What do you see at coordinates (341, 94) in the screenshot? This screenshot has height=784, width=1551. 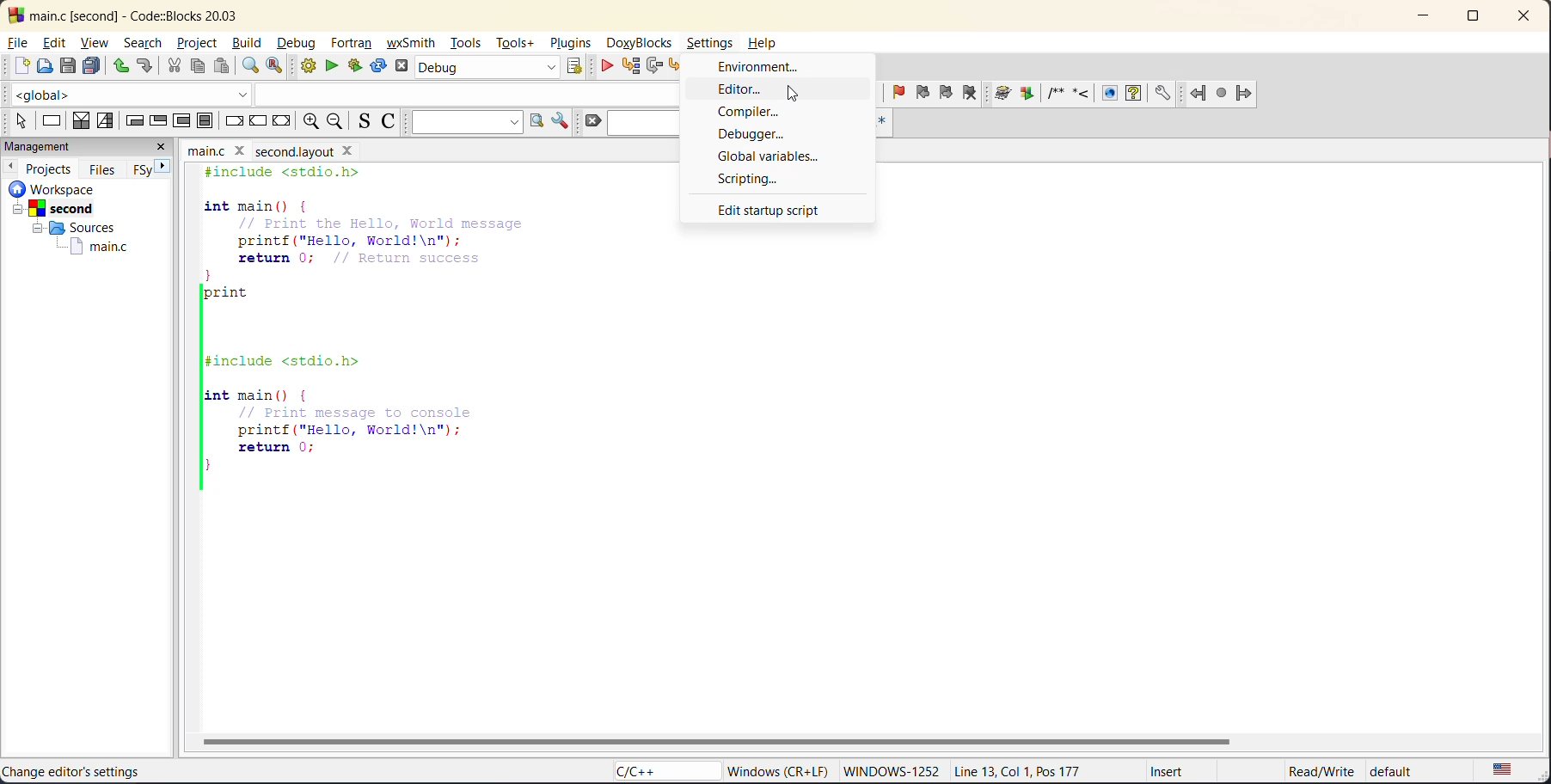 I see `code completion compiler` at bounding box center [341, 94].